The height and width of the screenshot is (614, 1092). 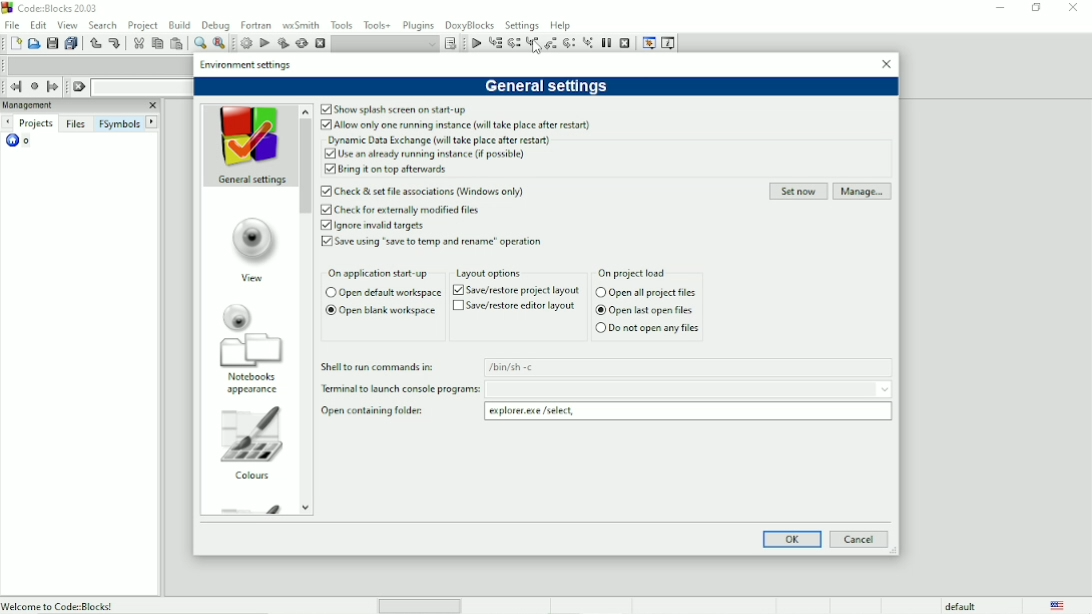 I want to click on o, so click(x=27, y=143).